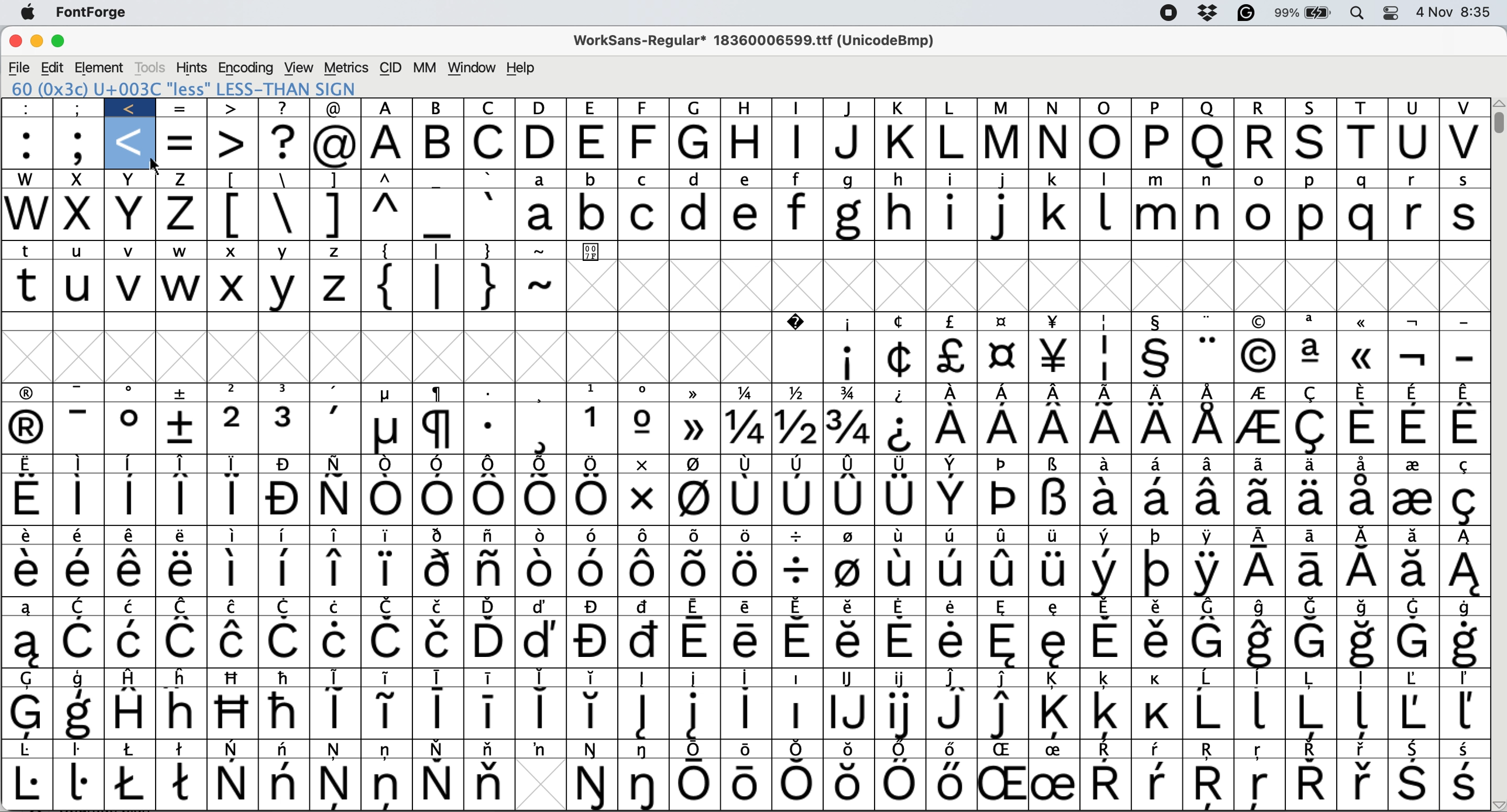 Image resolution: width=1507 pixels, height=812 pixels. Describe the element at coordinates (336, 713) in the screenshot. I see `Symbol` at that location.